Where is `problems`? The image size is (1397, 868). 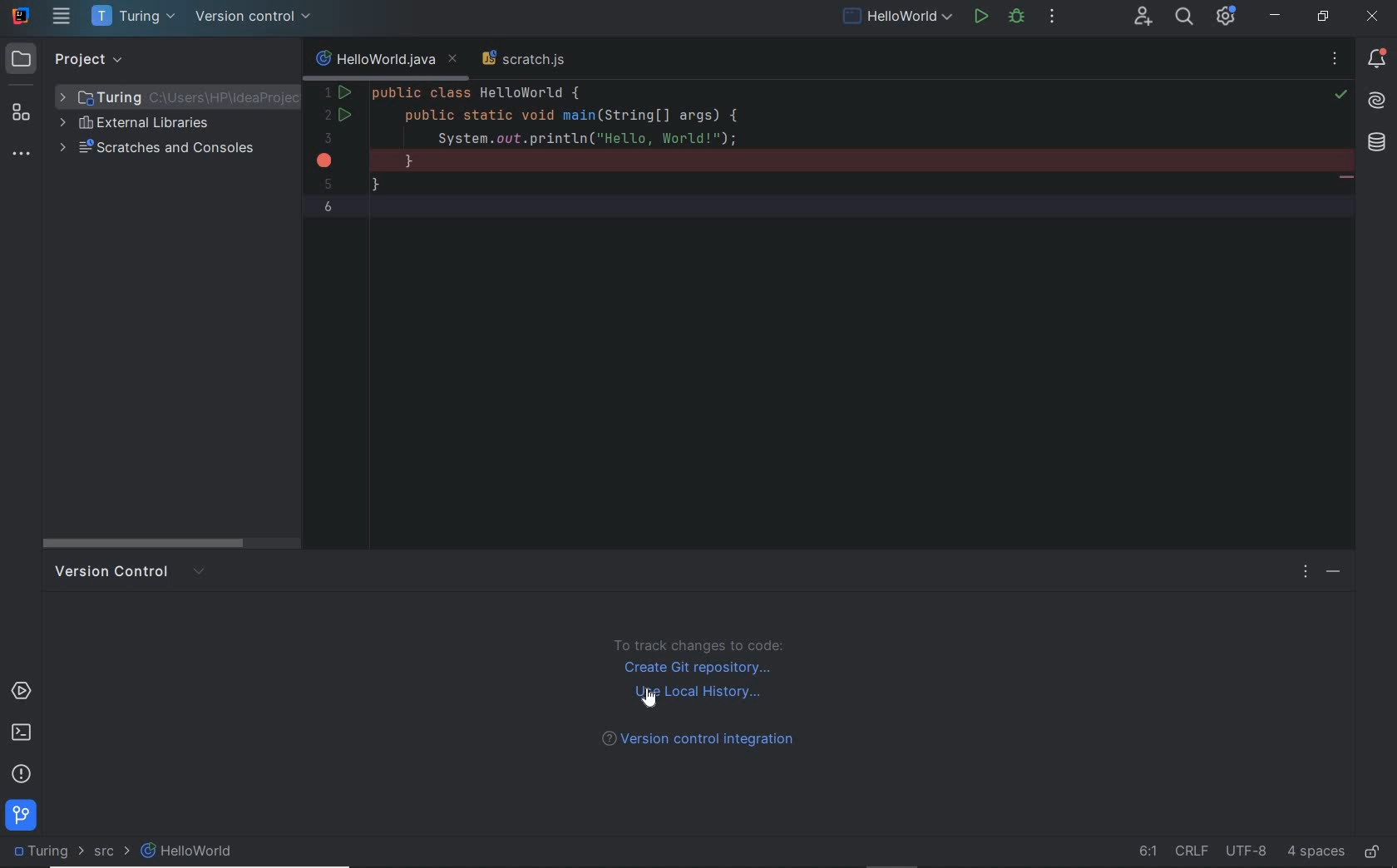 problems is located at coordinates (20, 773).